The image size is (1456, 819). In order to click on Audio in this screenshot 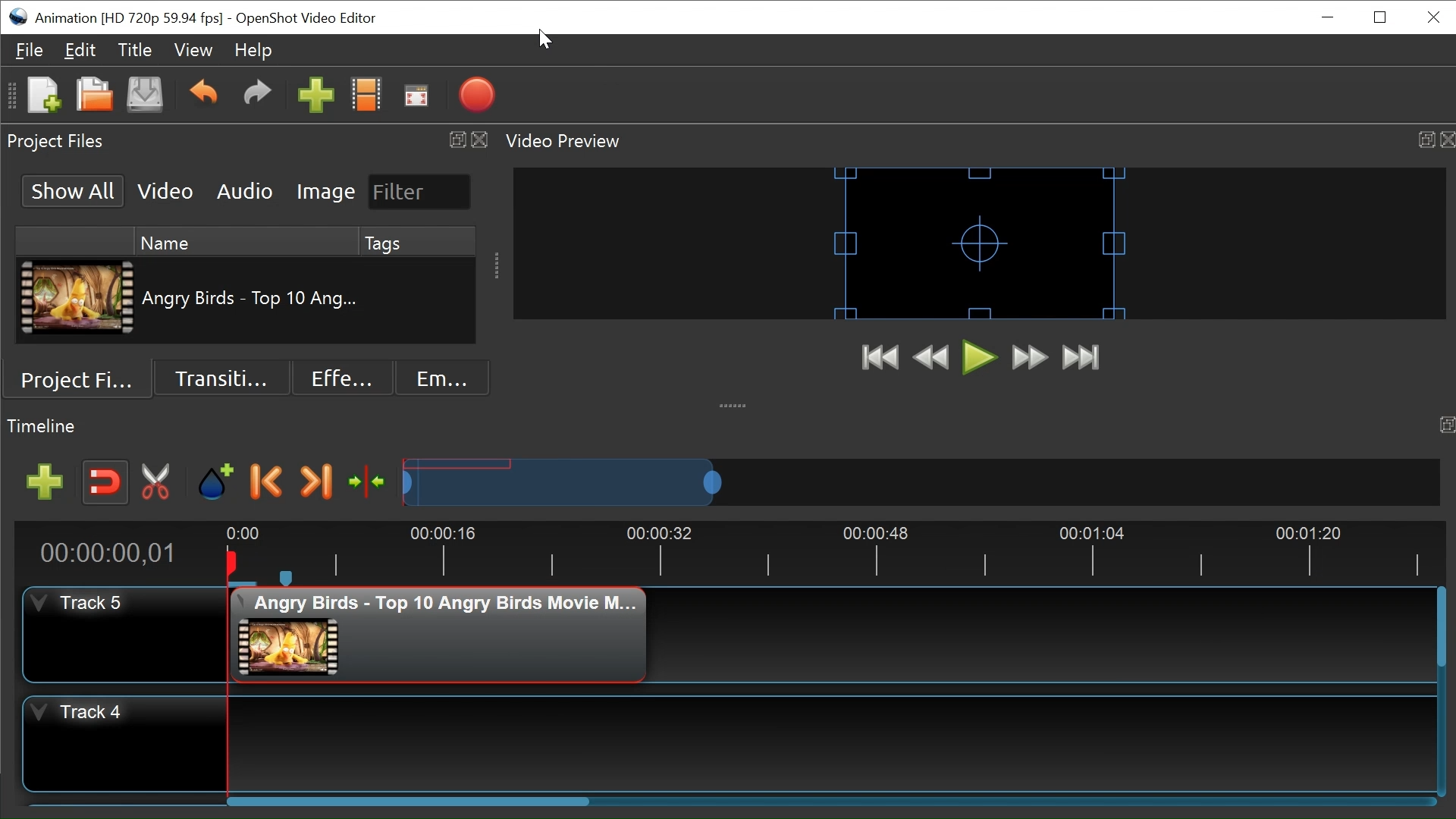, I will do `click(245, 193)`.